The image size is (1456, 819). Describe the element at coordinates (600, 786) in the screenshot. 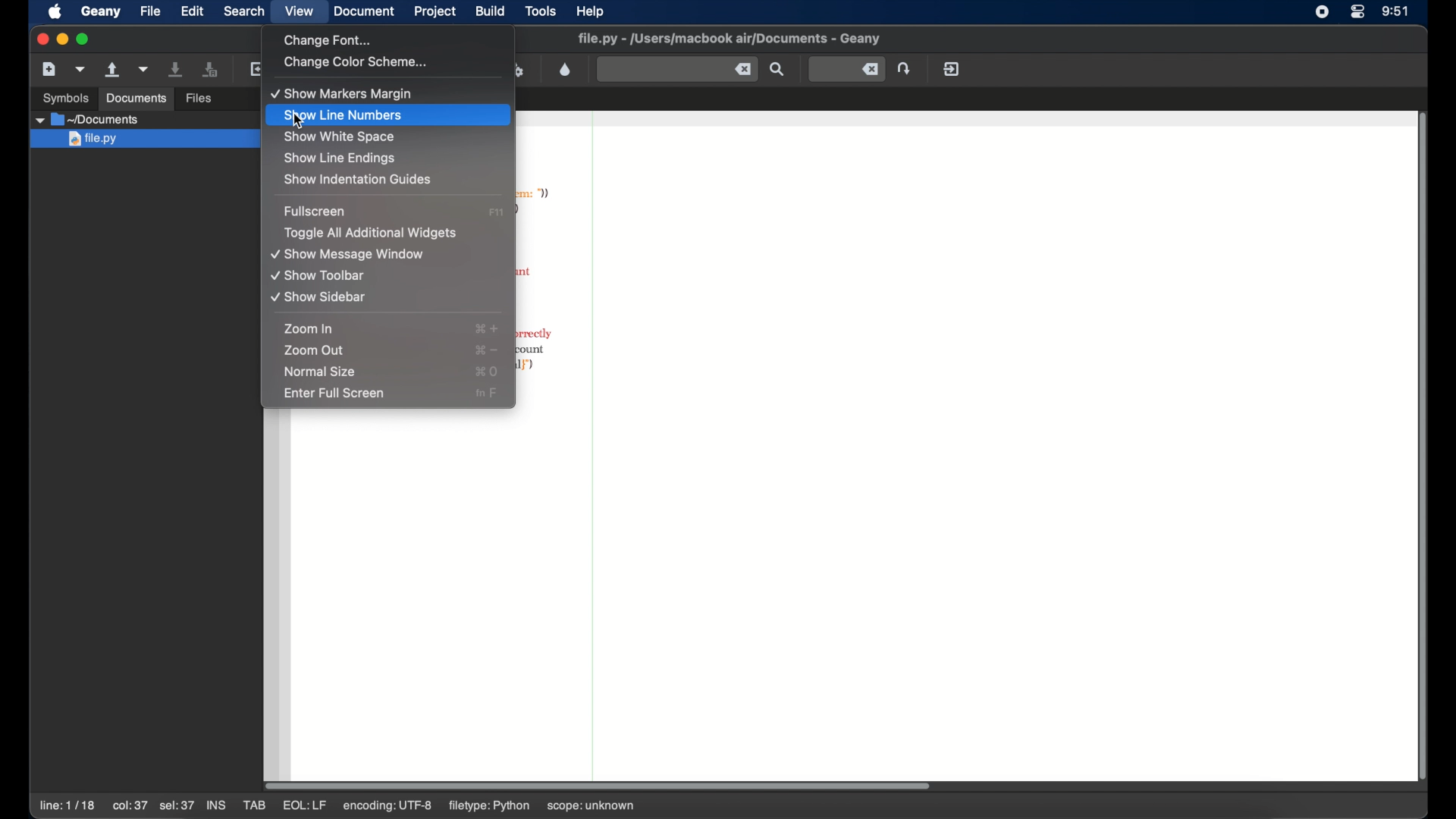

I see `scroll box` at that location.